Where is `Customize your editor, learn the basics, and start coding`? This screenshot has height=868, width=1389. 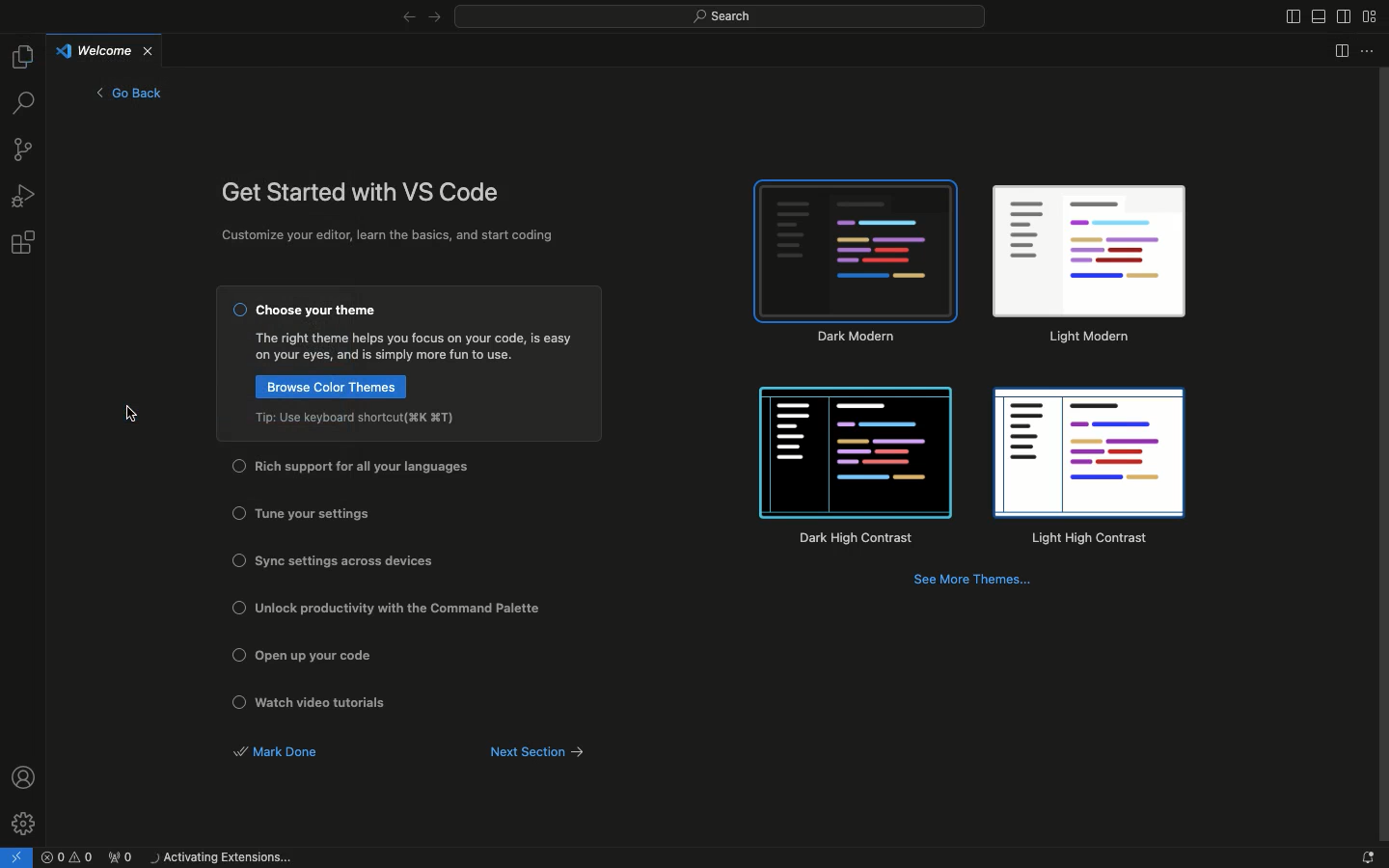
Customize your editor, learn the basics, and start coding is located at coordinates (392, 237).